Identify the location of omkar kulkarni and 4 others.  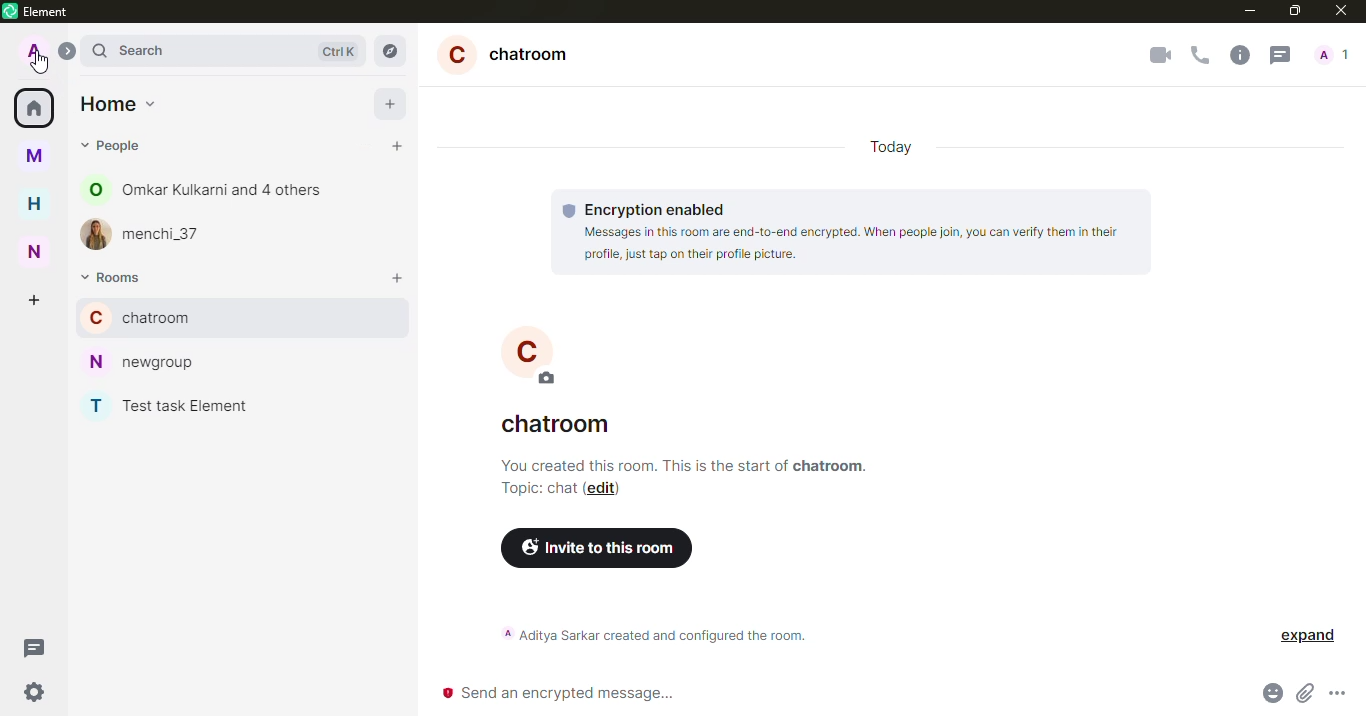
(231, 187).